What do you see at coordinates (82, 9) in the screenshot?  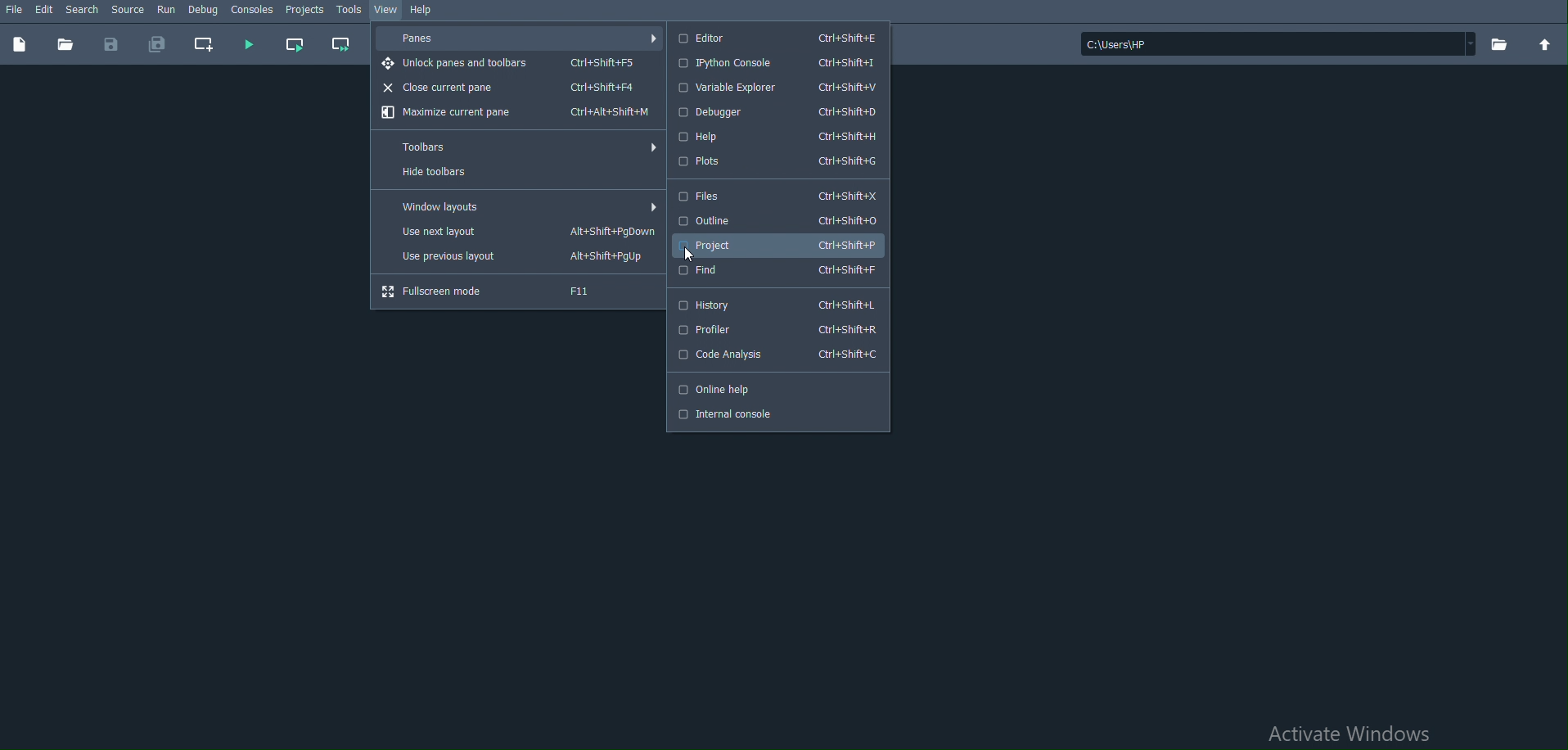 I see `Search` at bounding box center [82, 9].